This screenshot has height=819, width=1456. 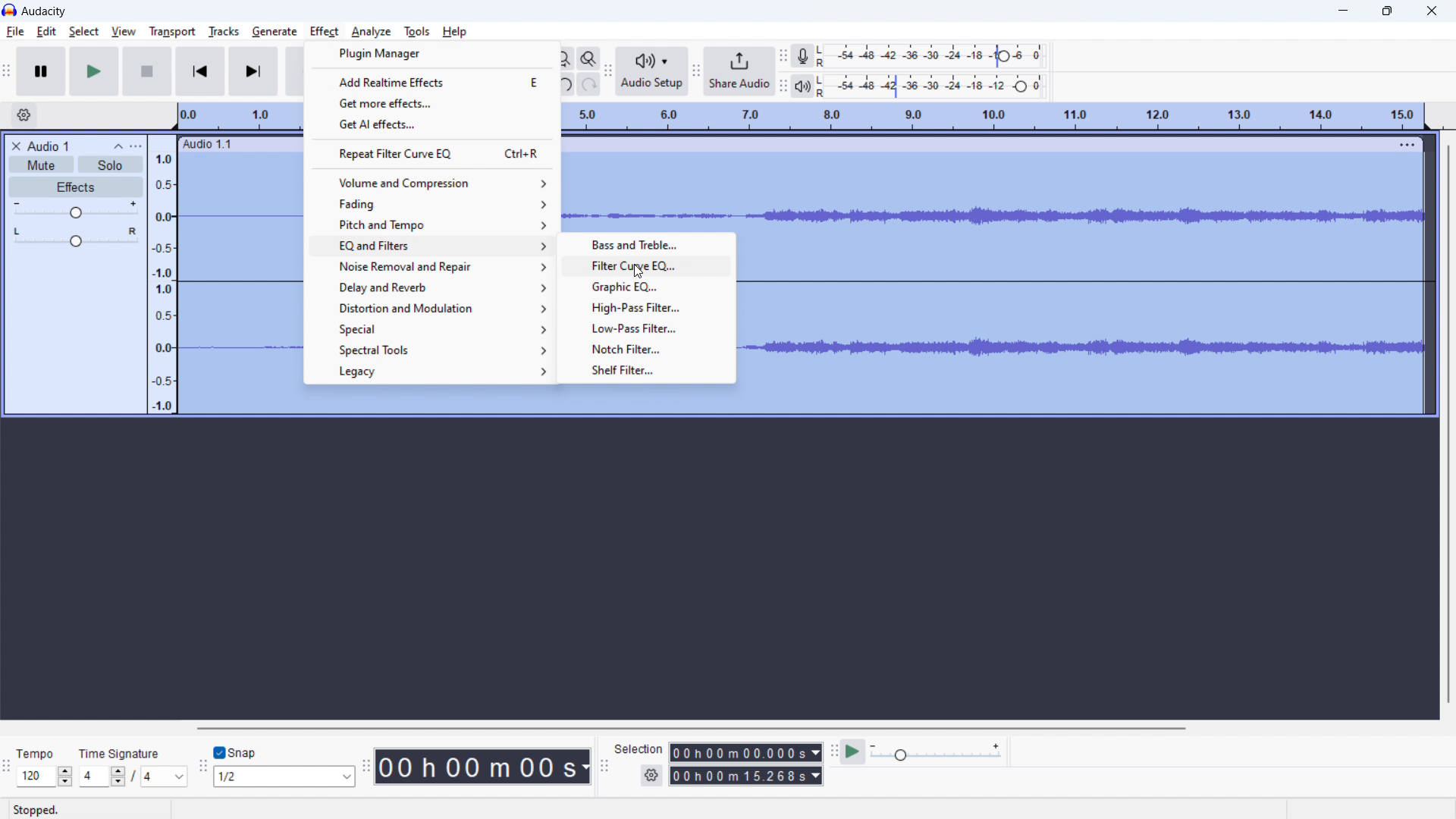 What do you see at coordinates (432, 183) in the screenshot?
I see `volume and compression` at bounding box center [432, 183].